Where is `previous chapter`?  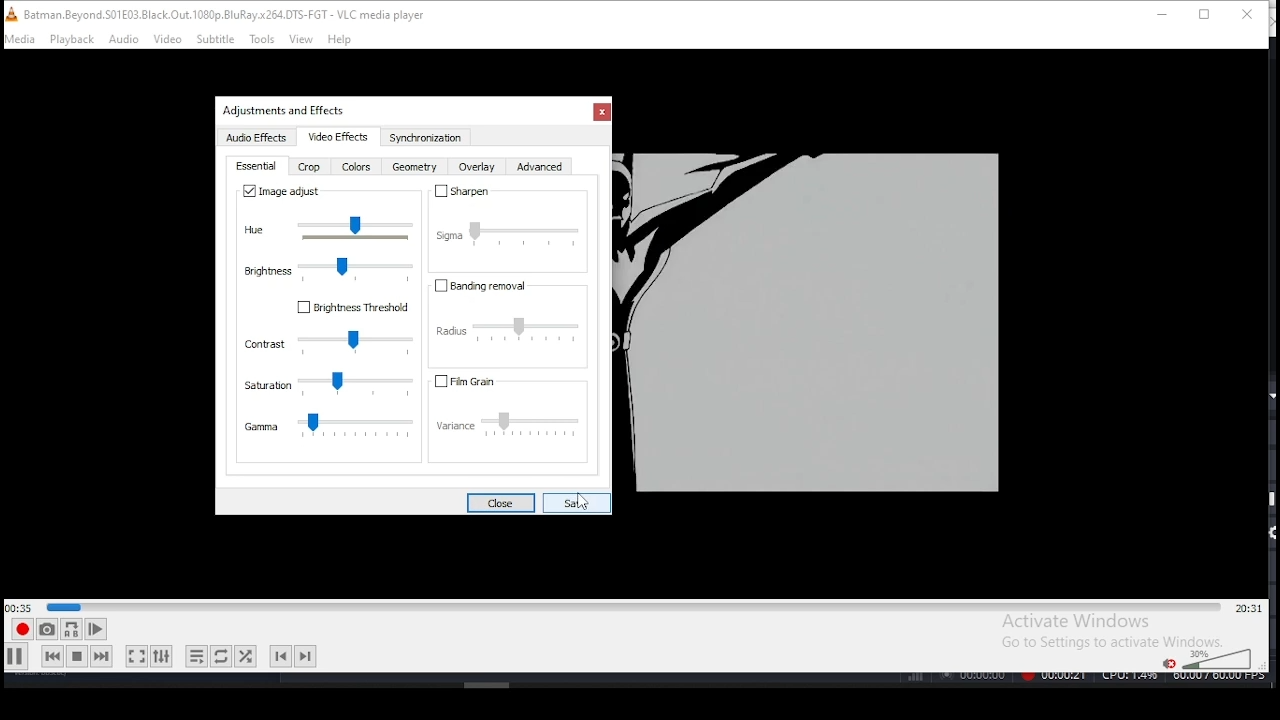 previous chapter is located at coordinates (279, 657).